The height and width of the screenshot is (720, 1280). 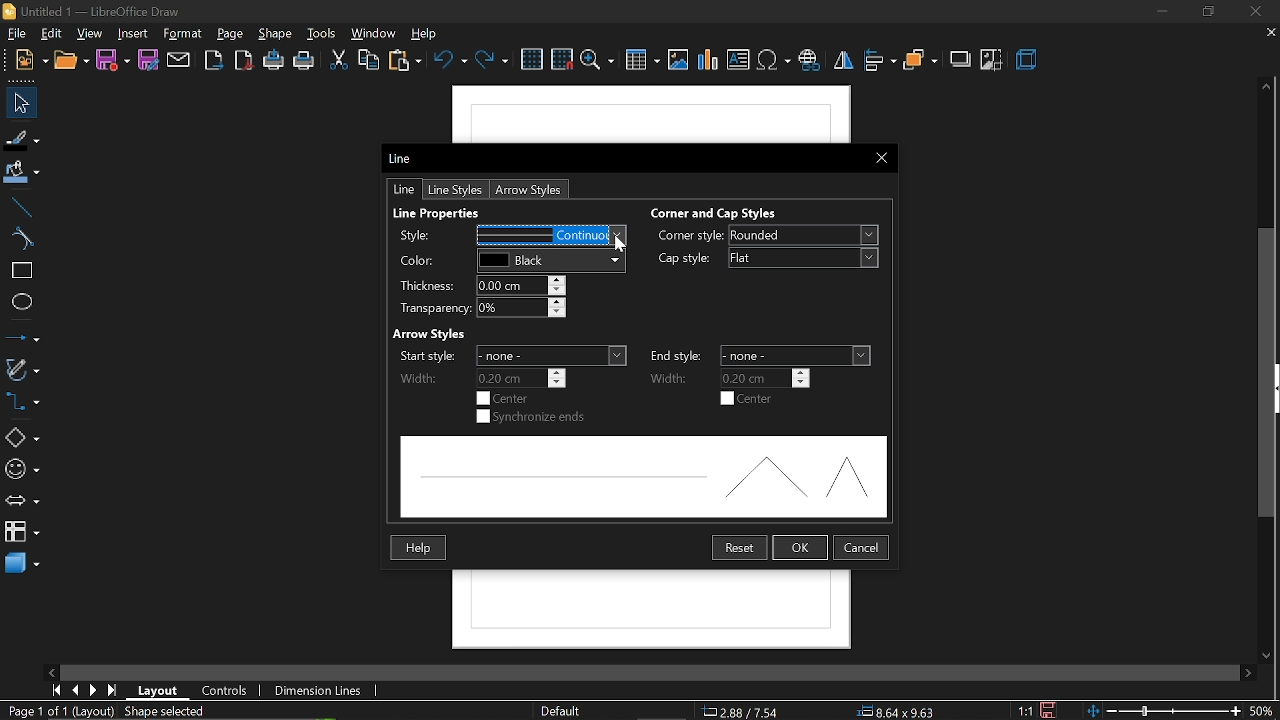 What do you see at coordinates (131, 34) in the screenshot?
I see `insert` at bounding box center [131, 34].